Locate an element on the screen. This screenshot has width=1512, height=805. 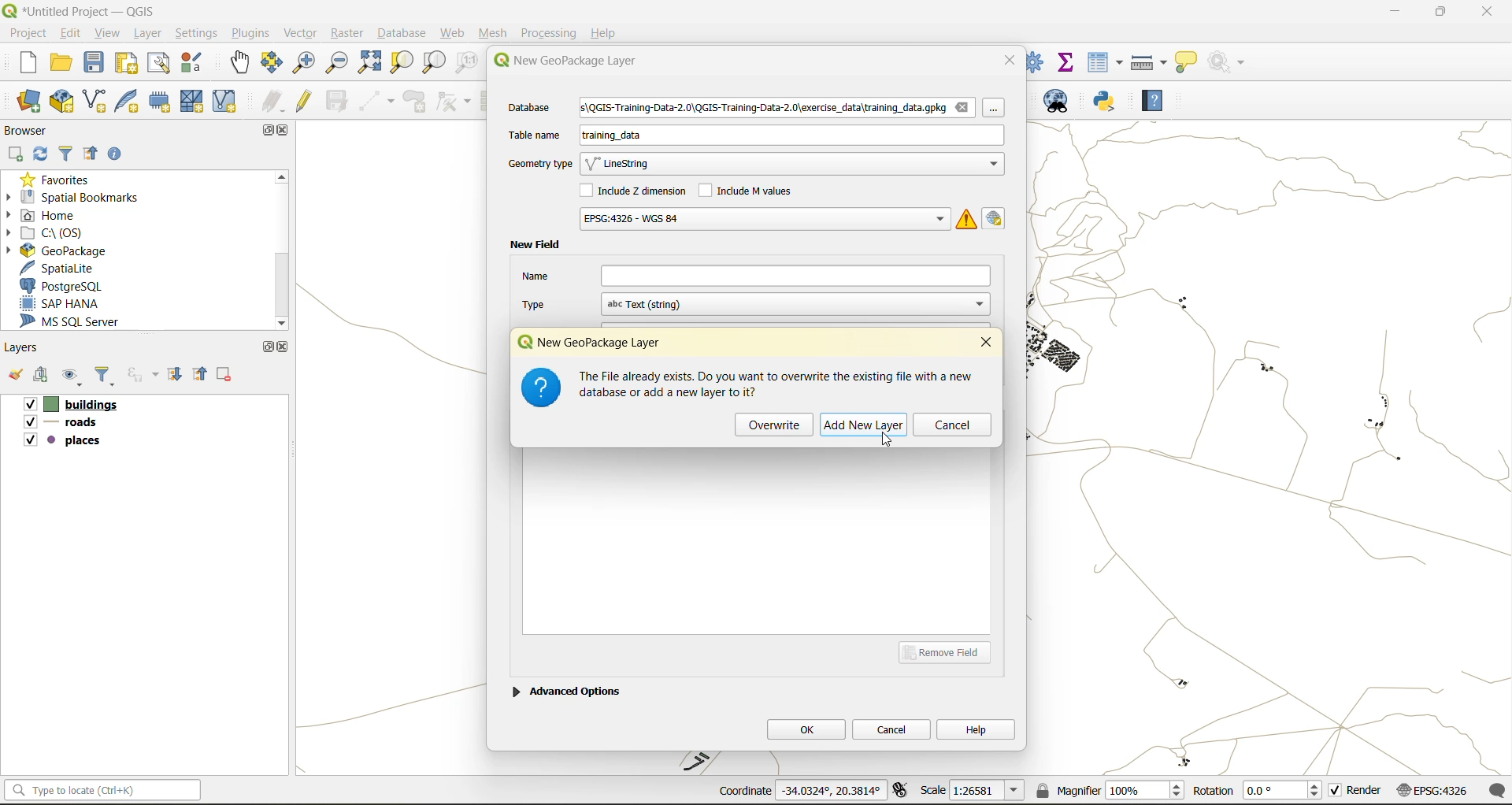
help is located at coordinates (976, 729).